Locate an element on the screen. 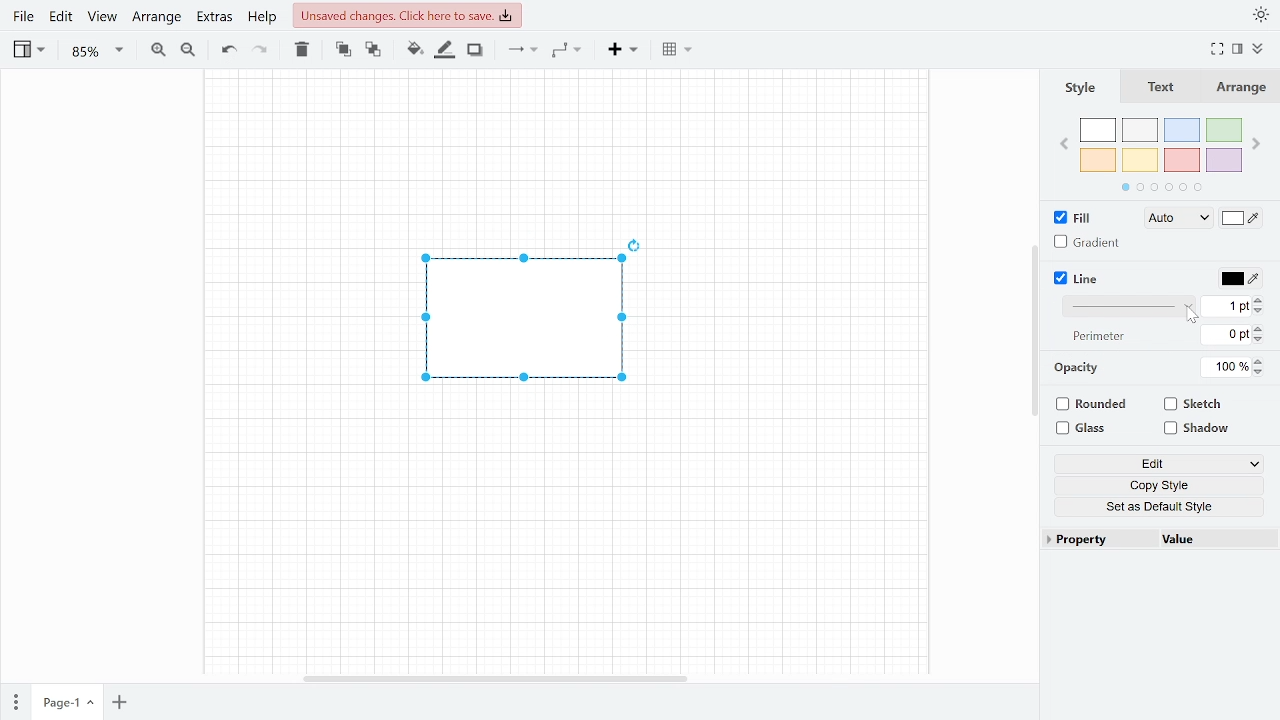 This screenshot has width=1280, height=720. Format is located at coordinates (1237, 50).